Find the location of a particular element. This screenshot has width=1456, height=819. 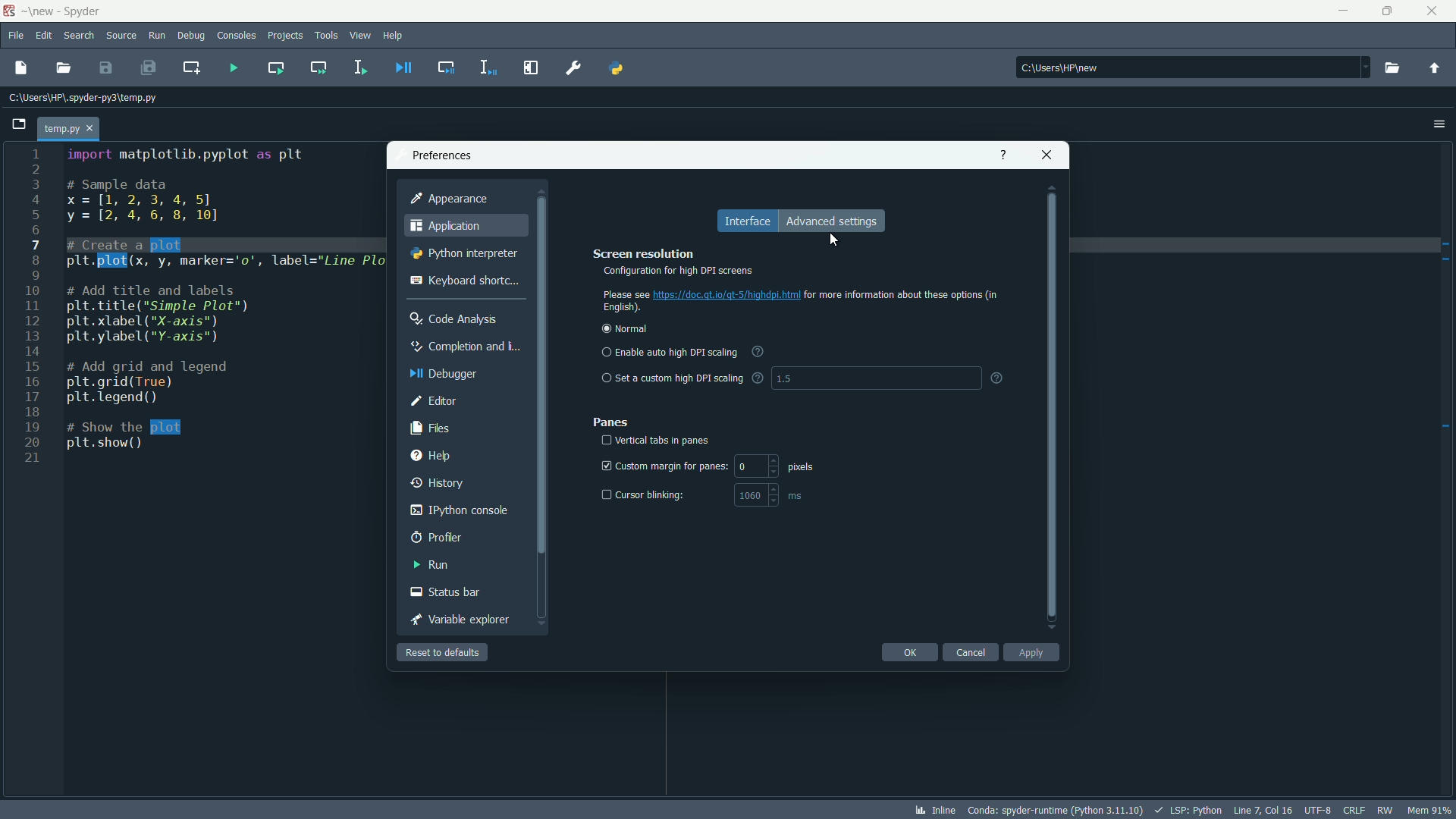

help is located at coordinates (394, 36).